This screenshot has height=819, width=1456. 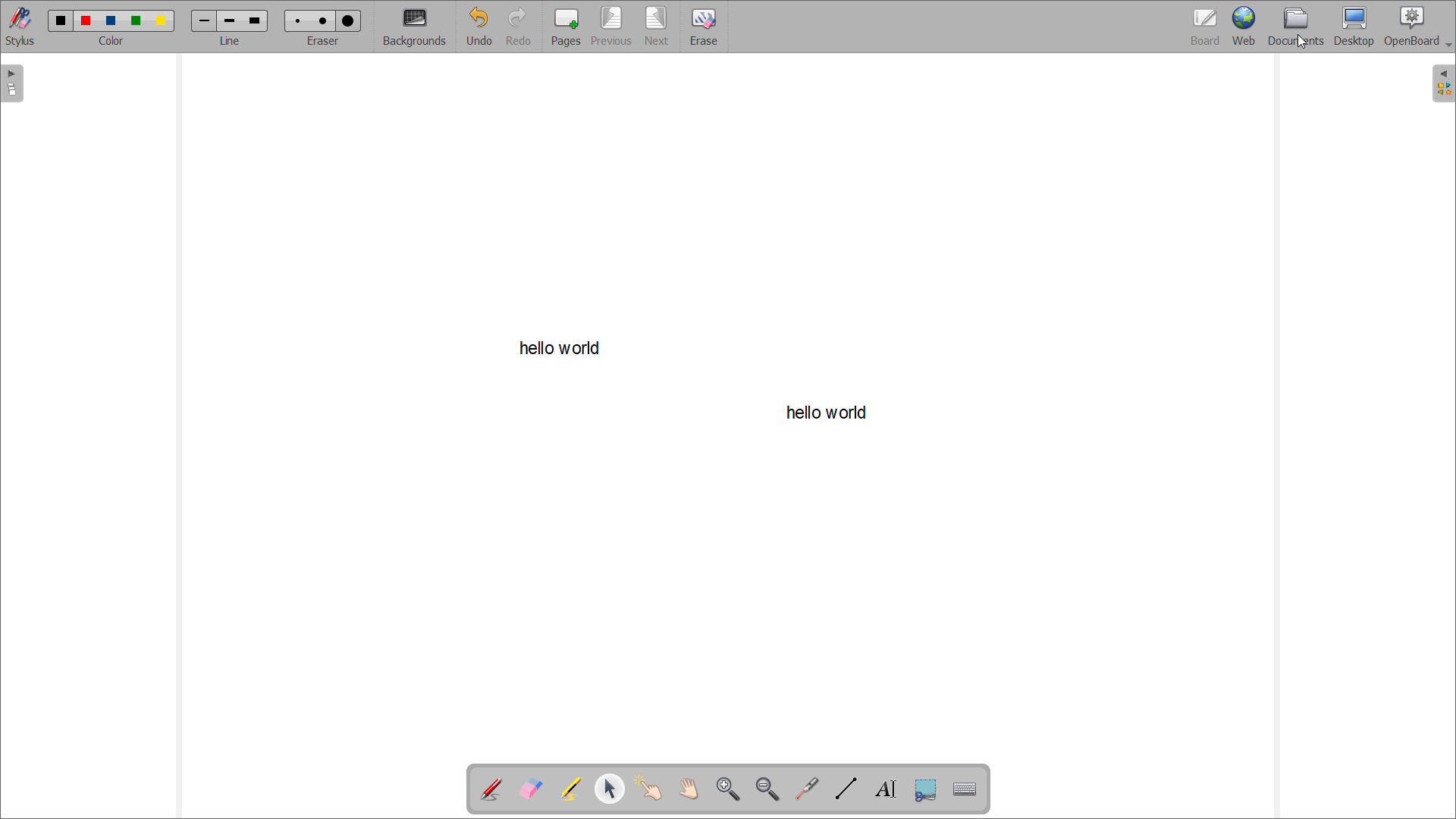 I want to click on capture part of a screen, so click(x=927, y=790).